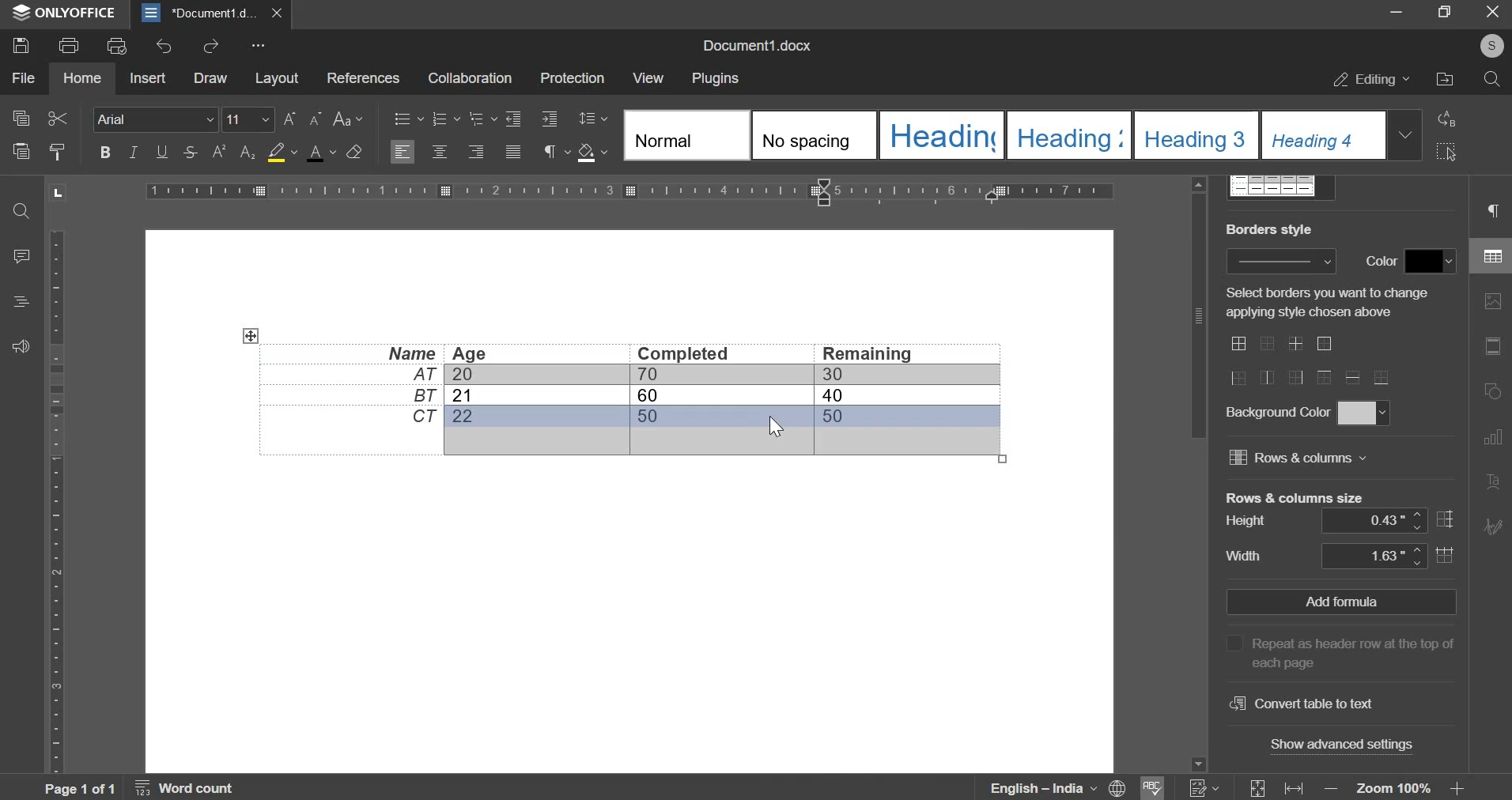  Describe the element at coordinates (1489, 365) in the screenshot. I see `right side menu` at that location.